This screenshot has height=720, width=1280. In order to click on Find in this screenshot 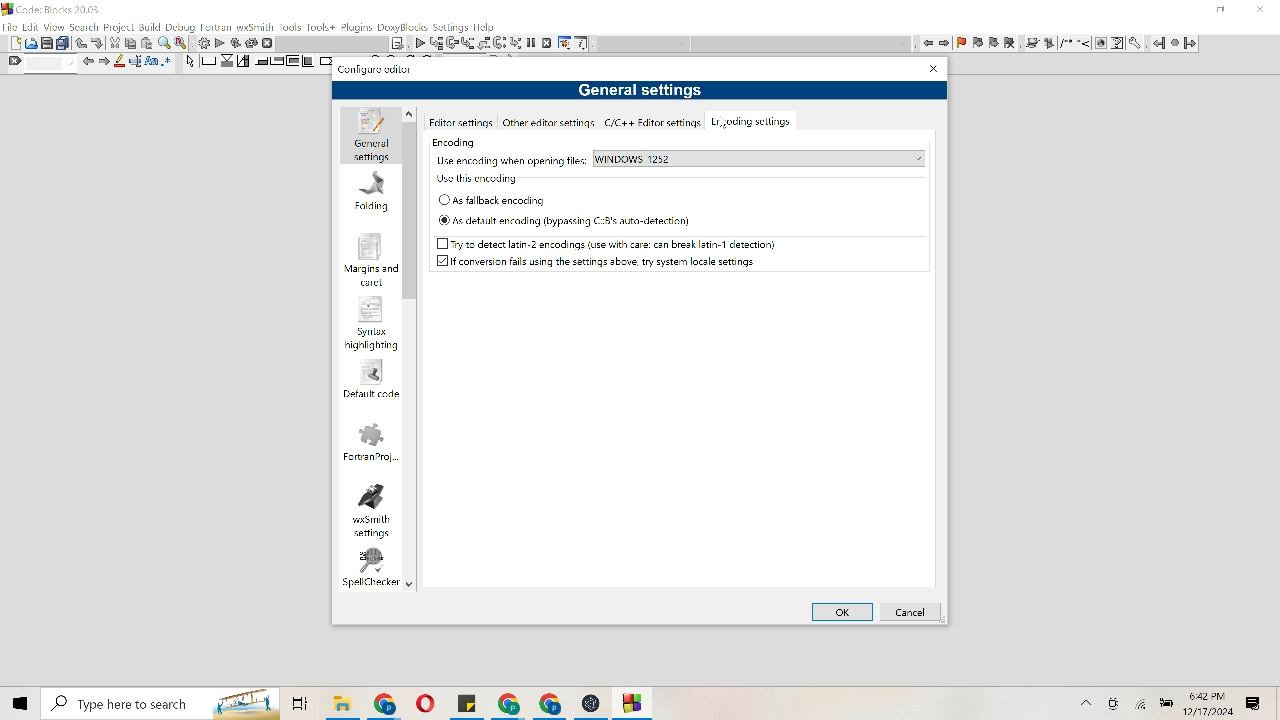, I will do `click(40, 64)`.